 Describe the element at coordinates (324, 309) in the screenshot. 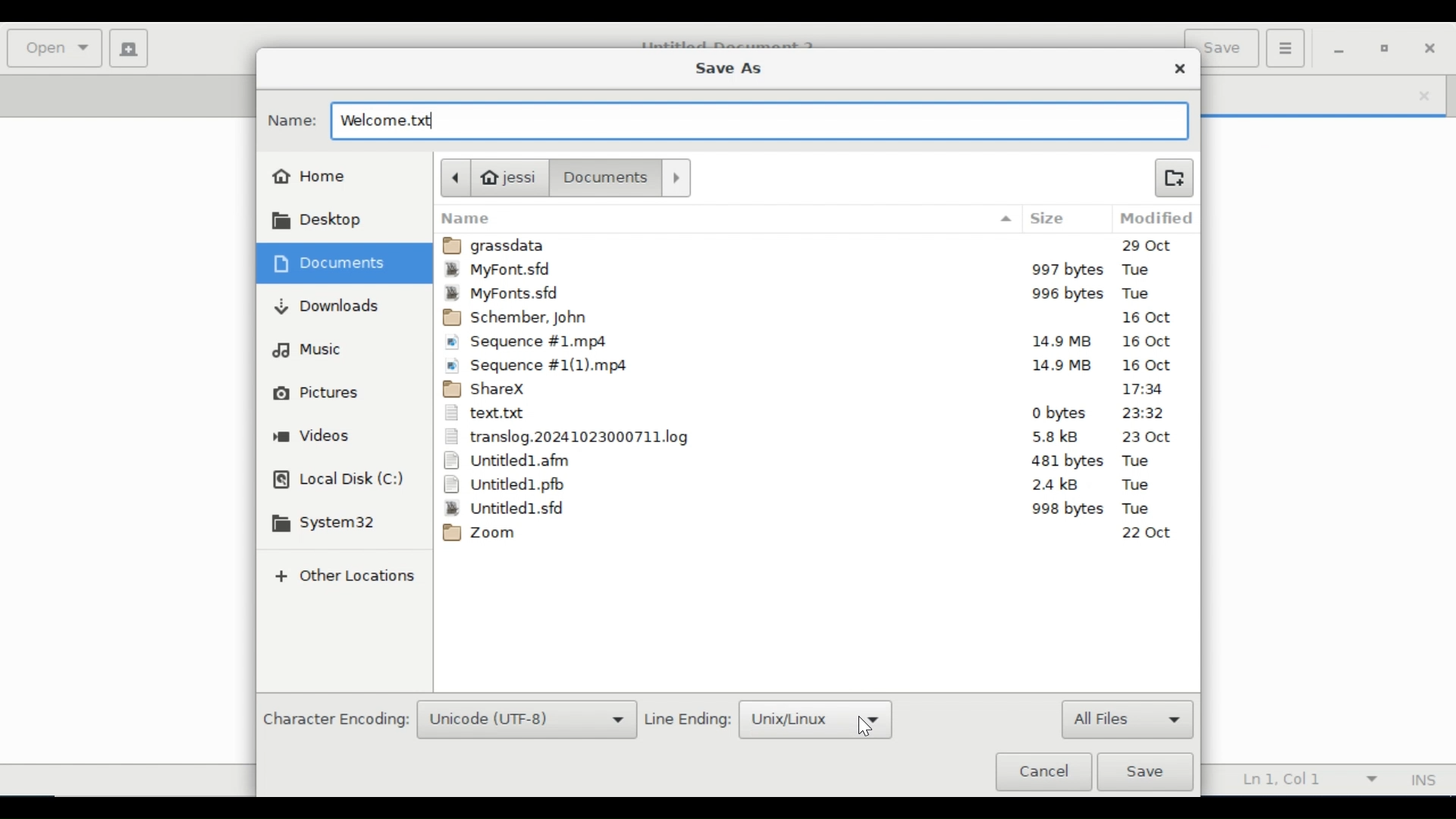

I see `Downloads` at that location.